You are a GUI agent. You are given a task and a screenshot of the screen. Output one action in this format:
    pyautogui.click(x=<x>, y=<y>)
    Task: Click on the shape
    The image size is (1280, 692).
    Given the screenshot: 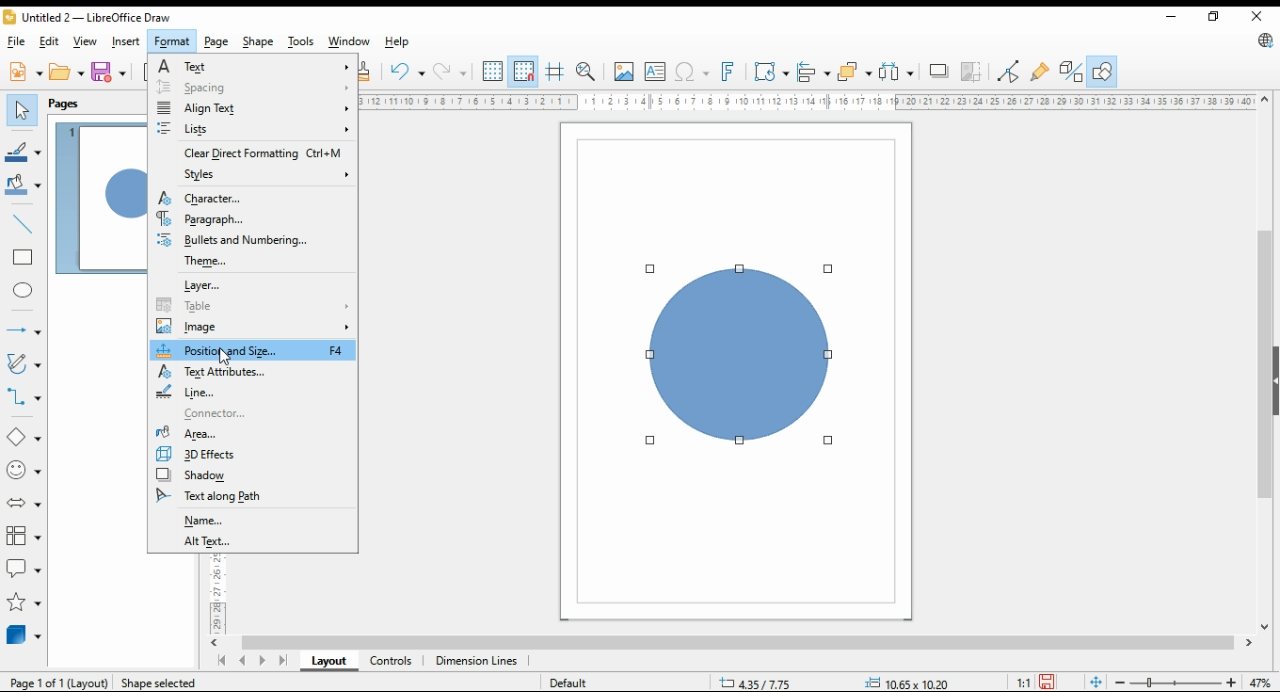 What is the action you would take?
    pyautogui.click(x=742, y=355)
    